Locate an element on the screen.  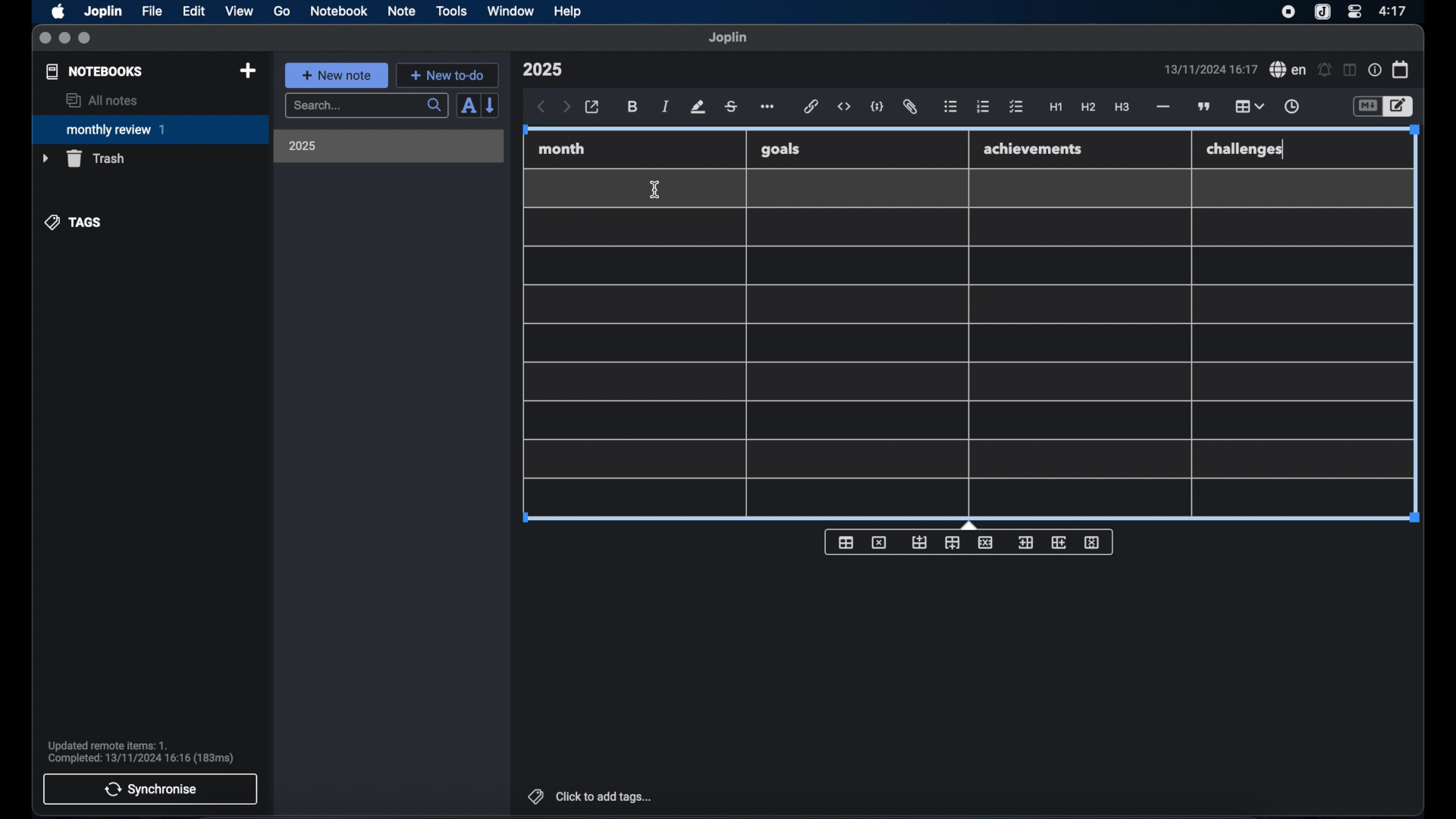
click to add tags is located at coordinates (591, 796).